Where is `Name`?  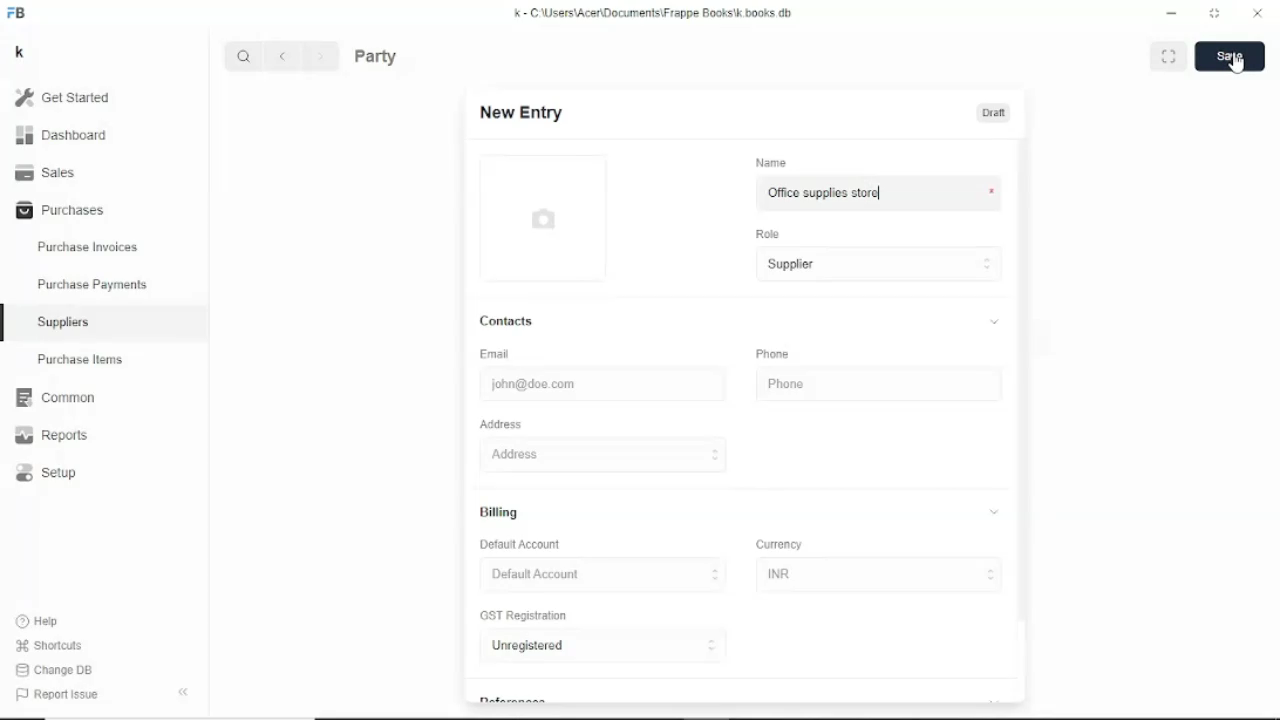
Name is located at coordinates (771, 161).